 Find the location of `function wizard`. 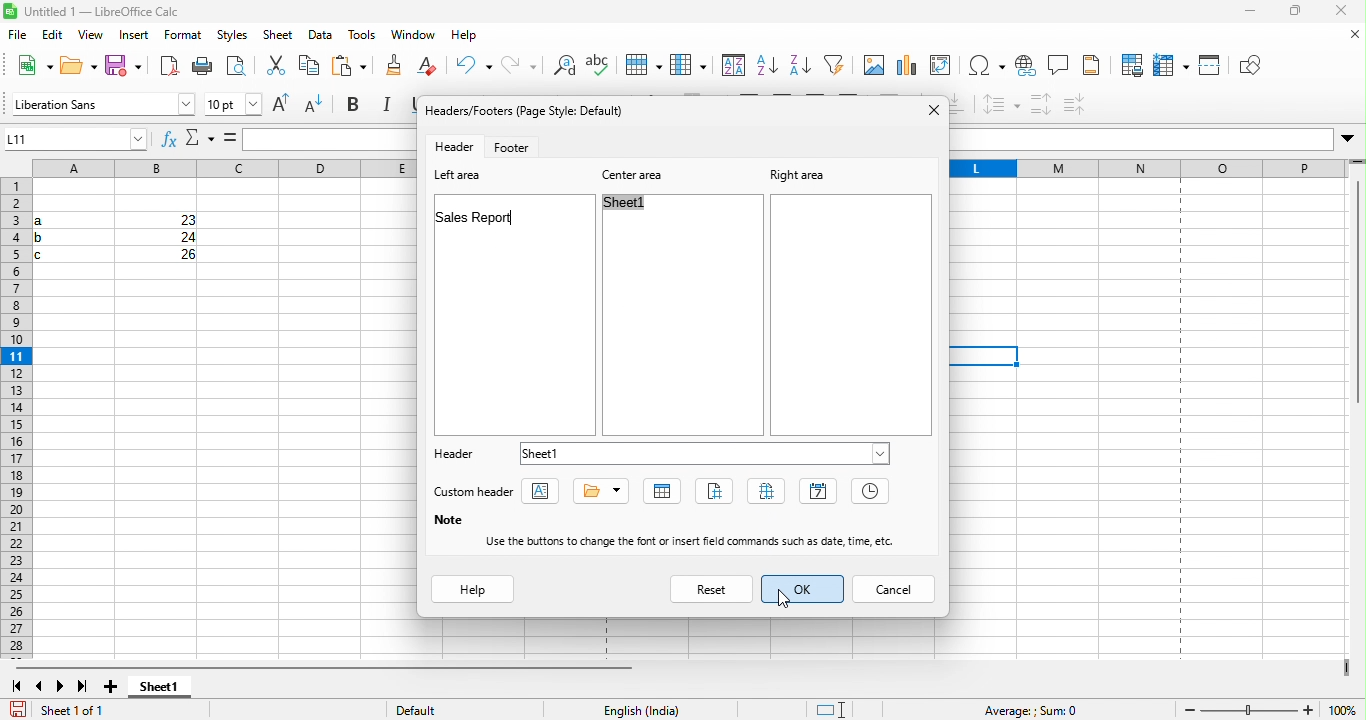

function wizard is located at coordinates (165, 139).